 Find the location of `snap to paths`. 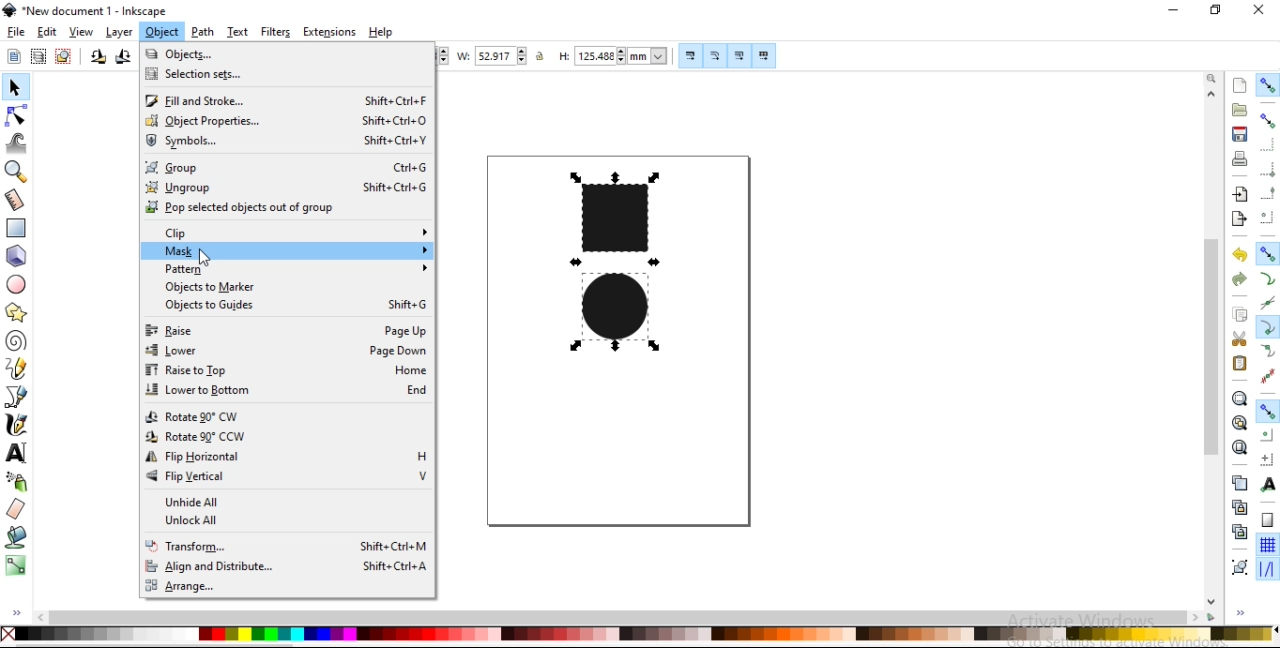

snap to paths is located at coordinates (1268, 277).